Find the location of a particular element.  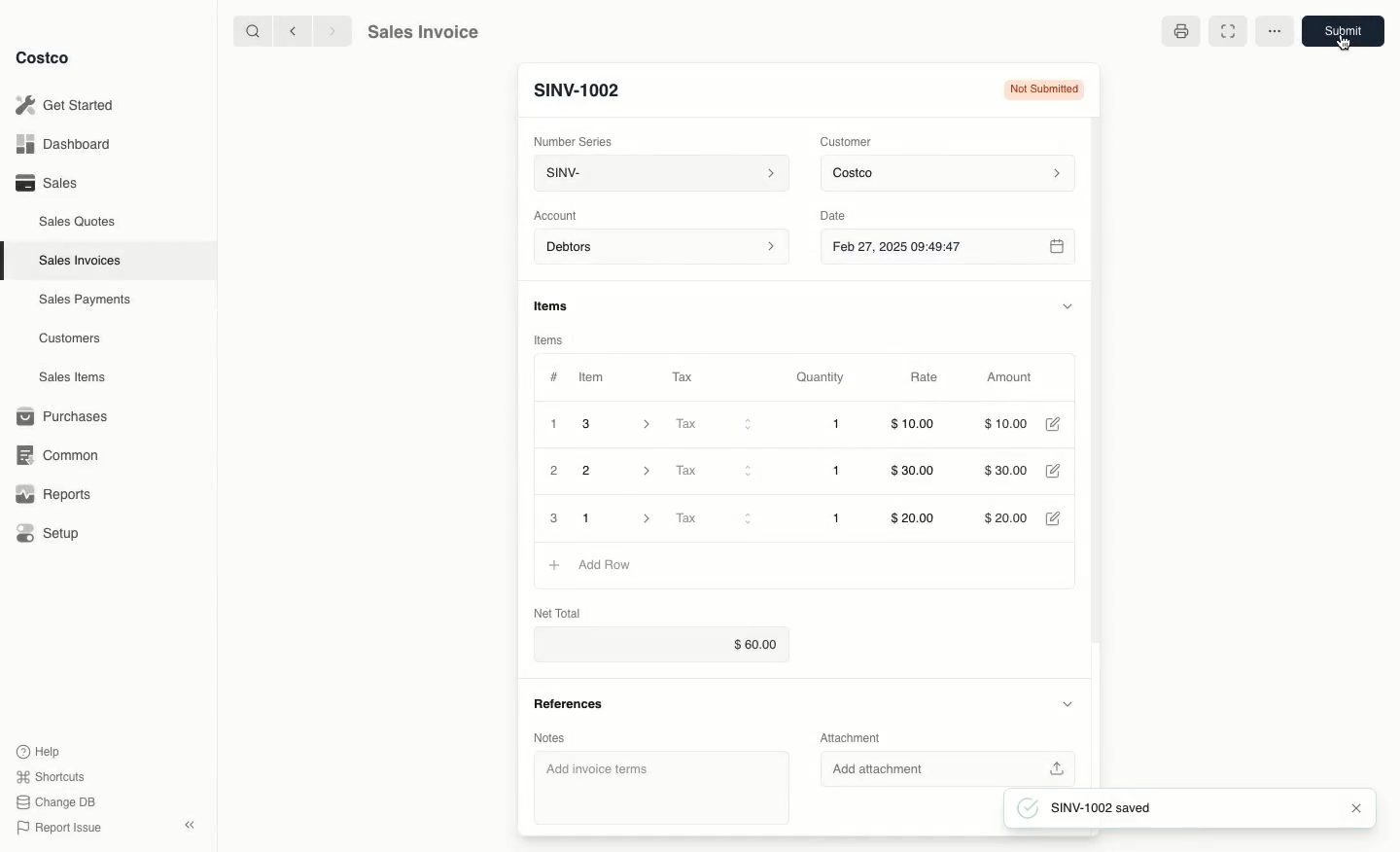

Common is located at coordinates (53, 453).